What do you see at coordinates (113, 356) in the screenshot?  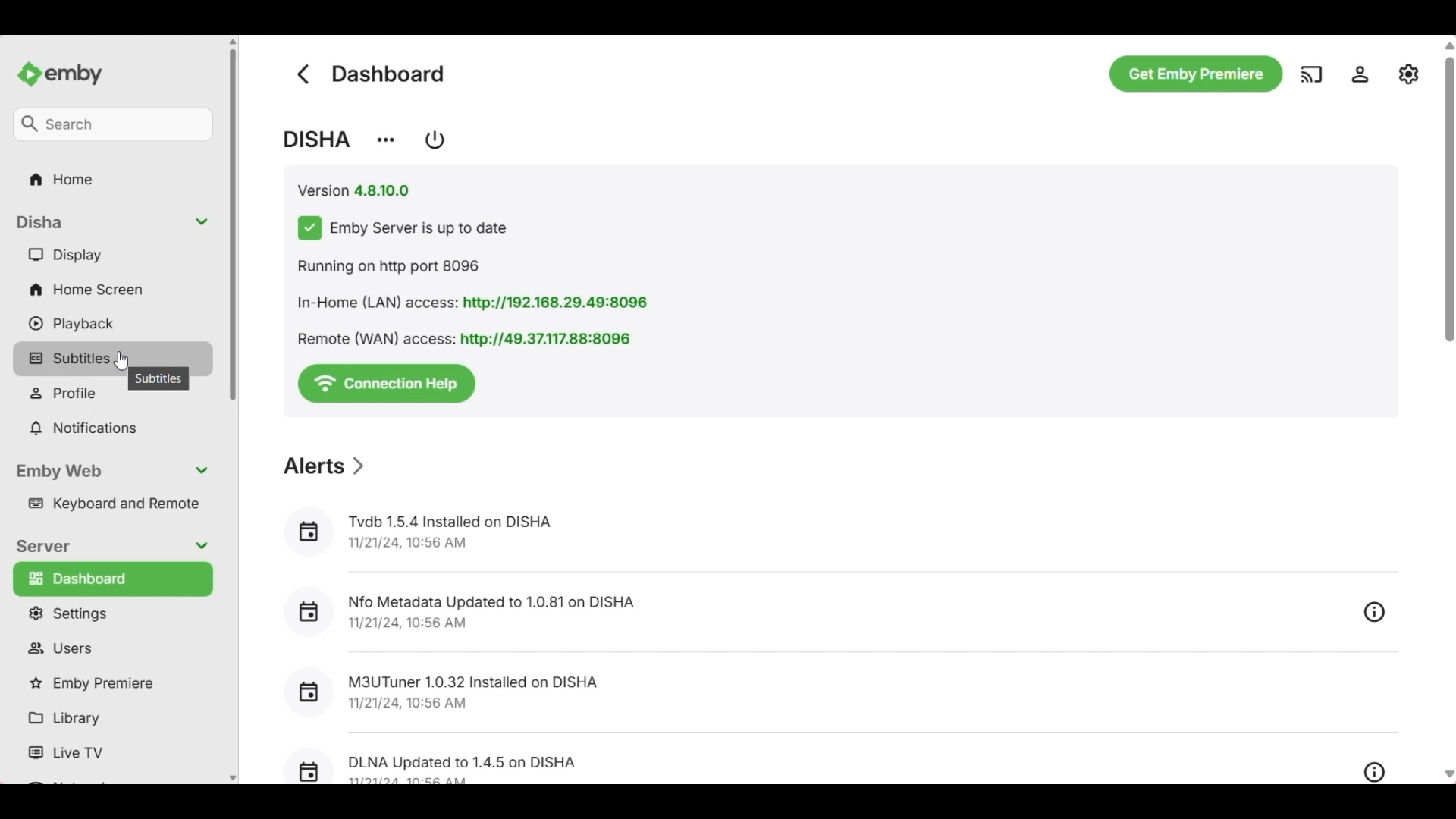 I see `Subtitles` at bounding box center [113, 356].